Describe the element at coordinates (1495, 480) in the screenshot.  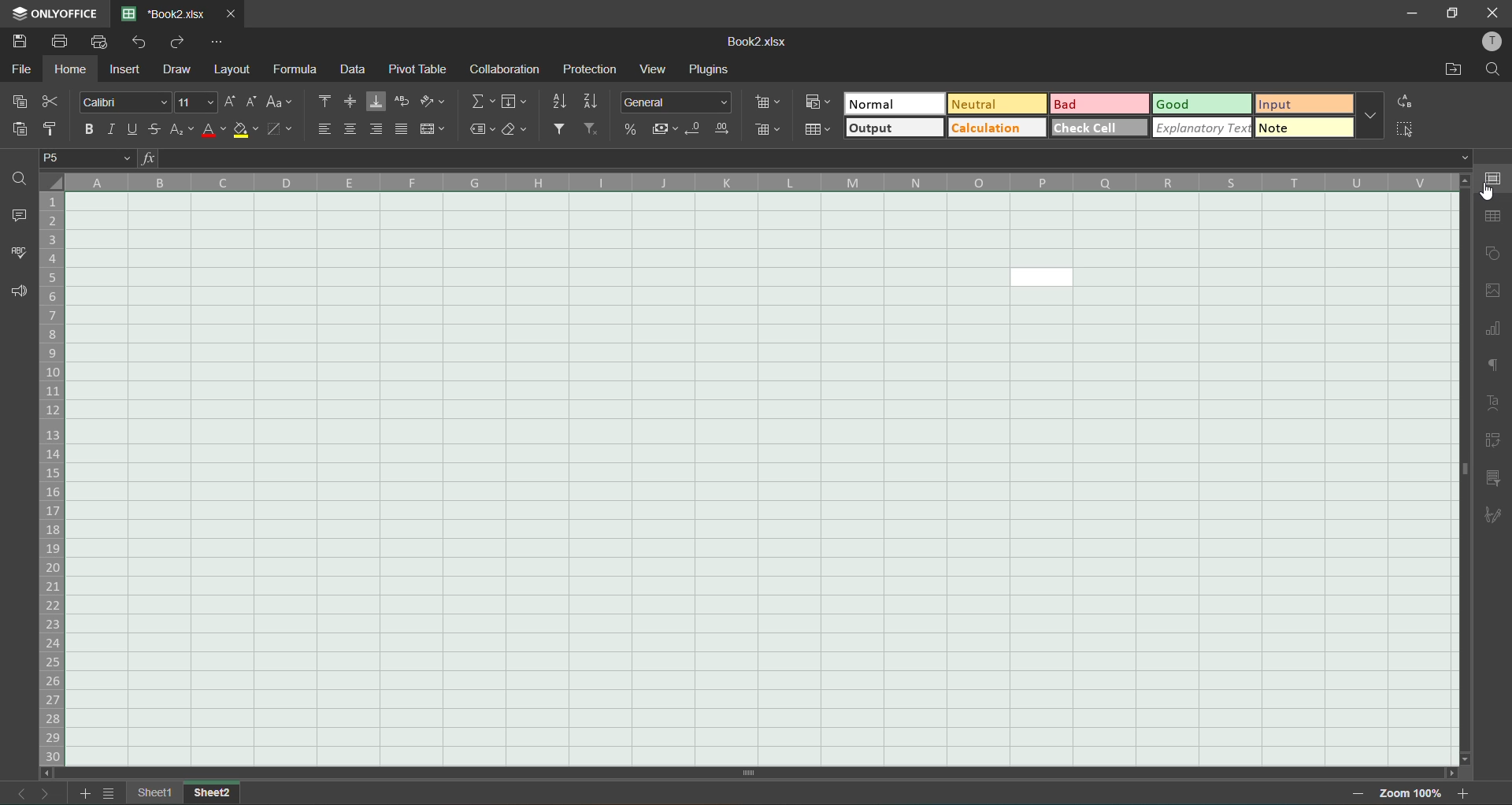
I see `slicer` at that location.